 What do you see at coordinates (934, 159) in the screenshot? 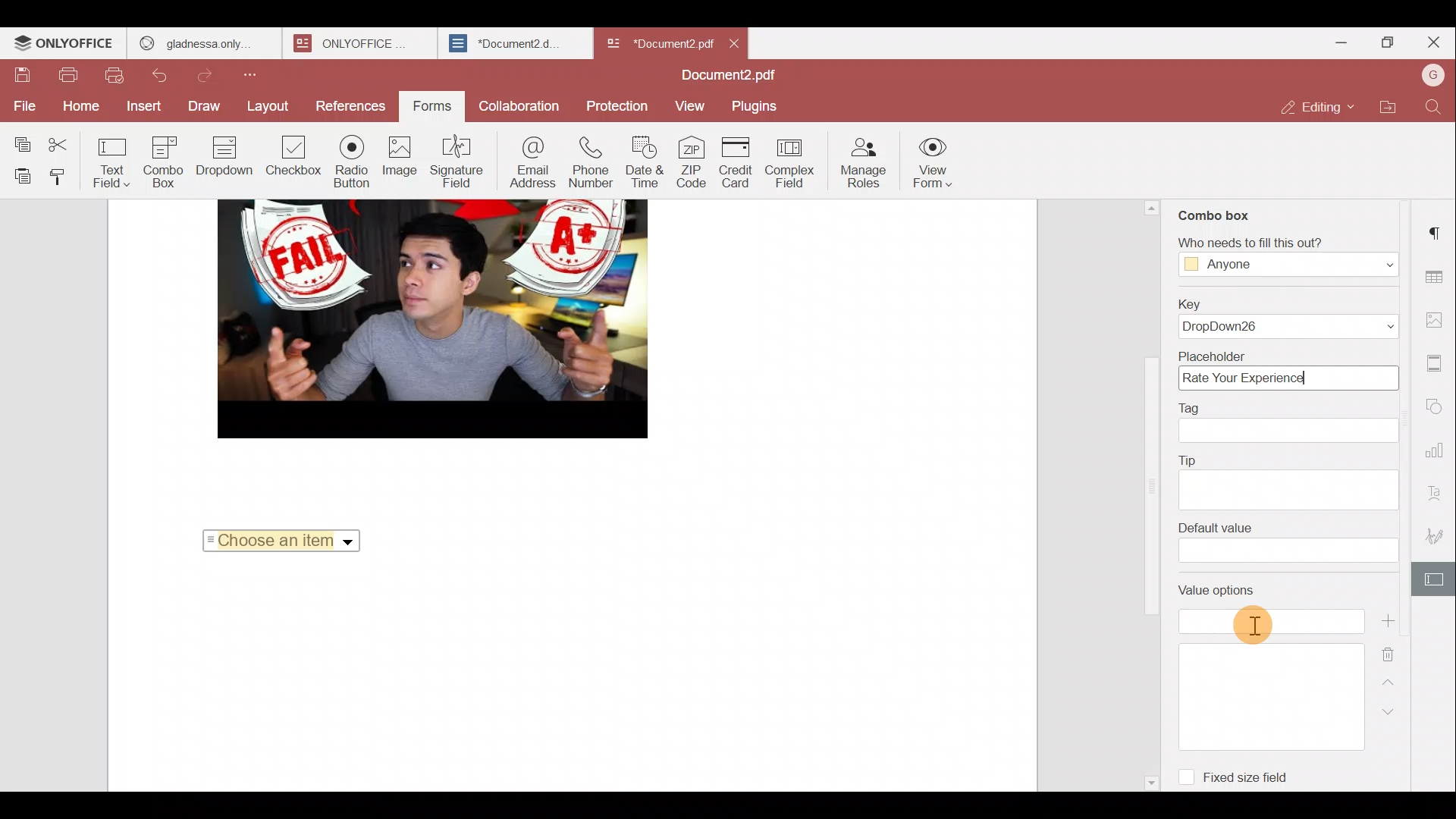
I see `View form` at bounding box center [934, 159].